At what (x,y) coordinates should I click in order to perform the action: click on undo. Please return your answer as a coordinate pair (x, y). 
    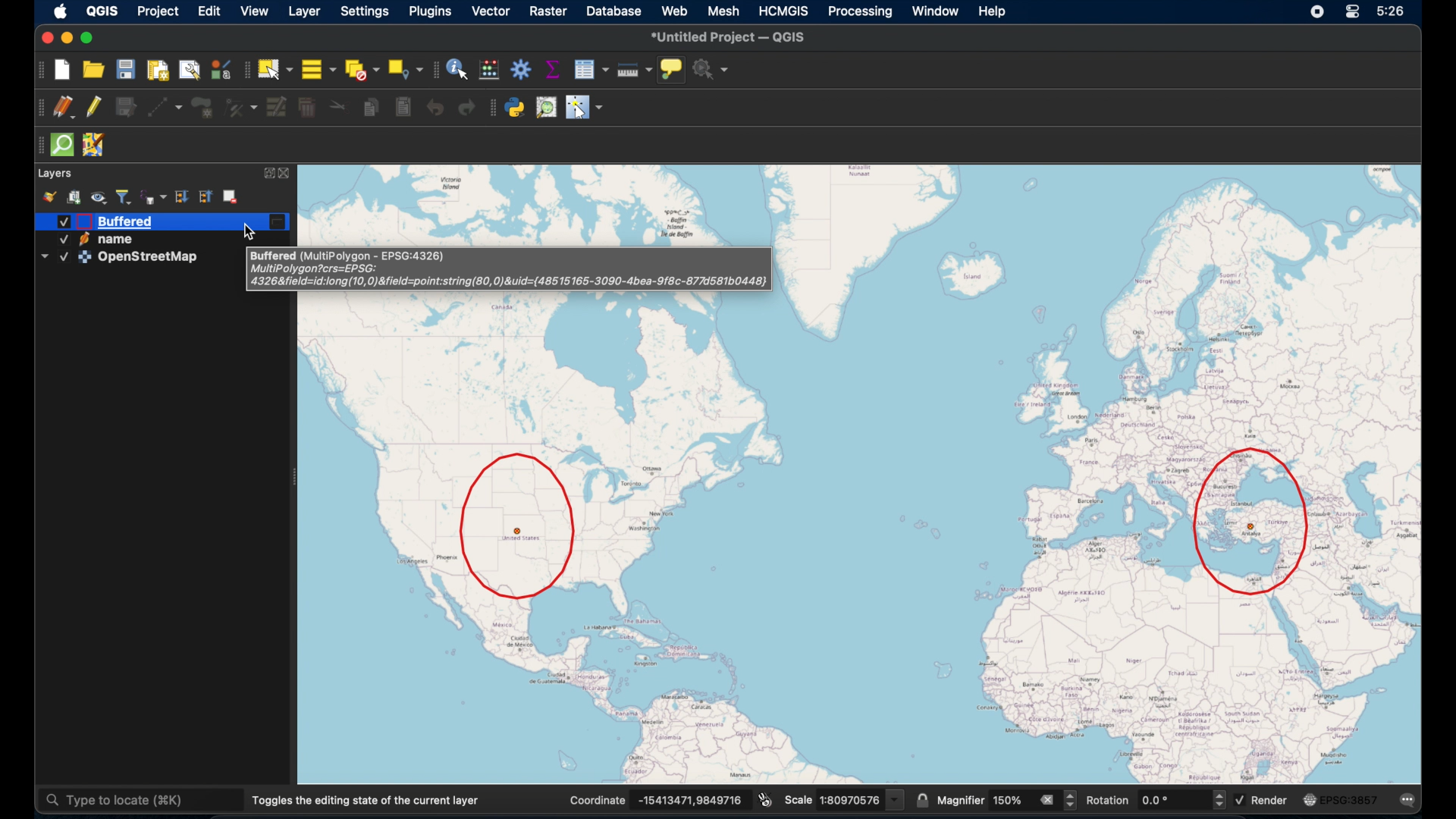
    Looking at the image, I should click on (436, 109).